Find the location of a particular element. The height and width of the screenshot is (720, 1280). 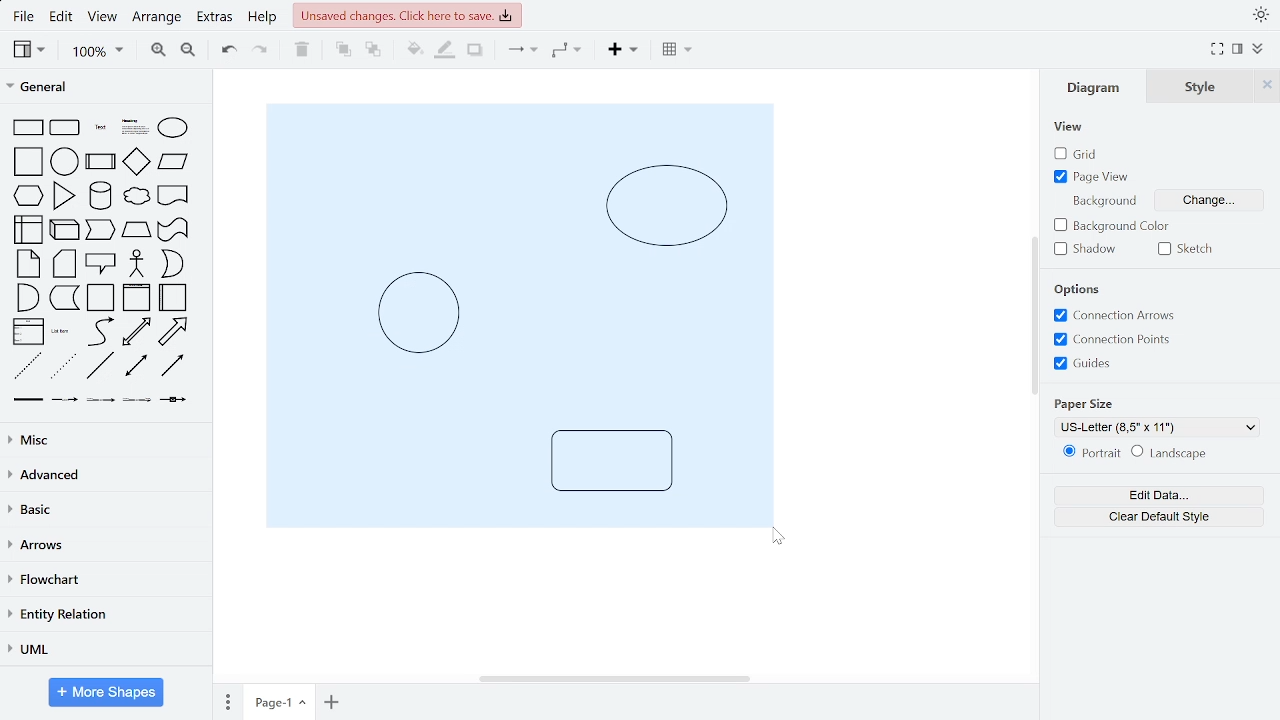

zoom in is located at coordinates (159, 51).